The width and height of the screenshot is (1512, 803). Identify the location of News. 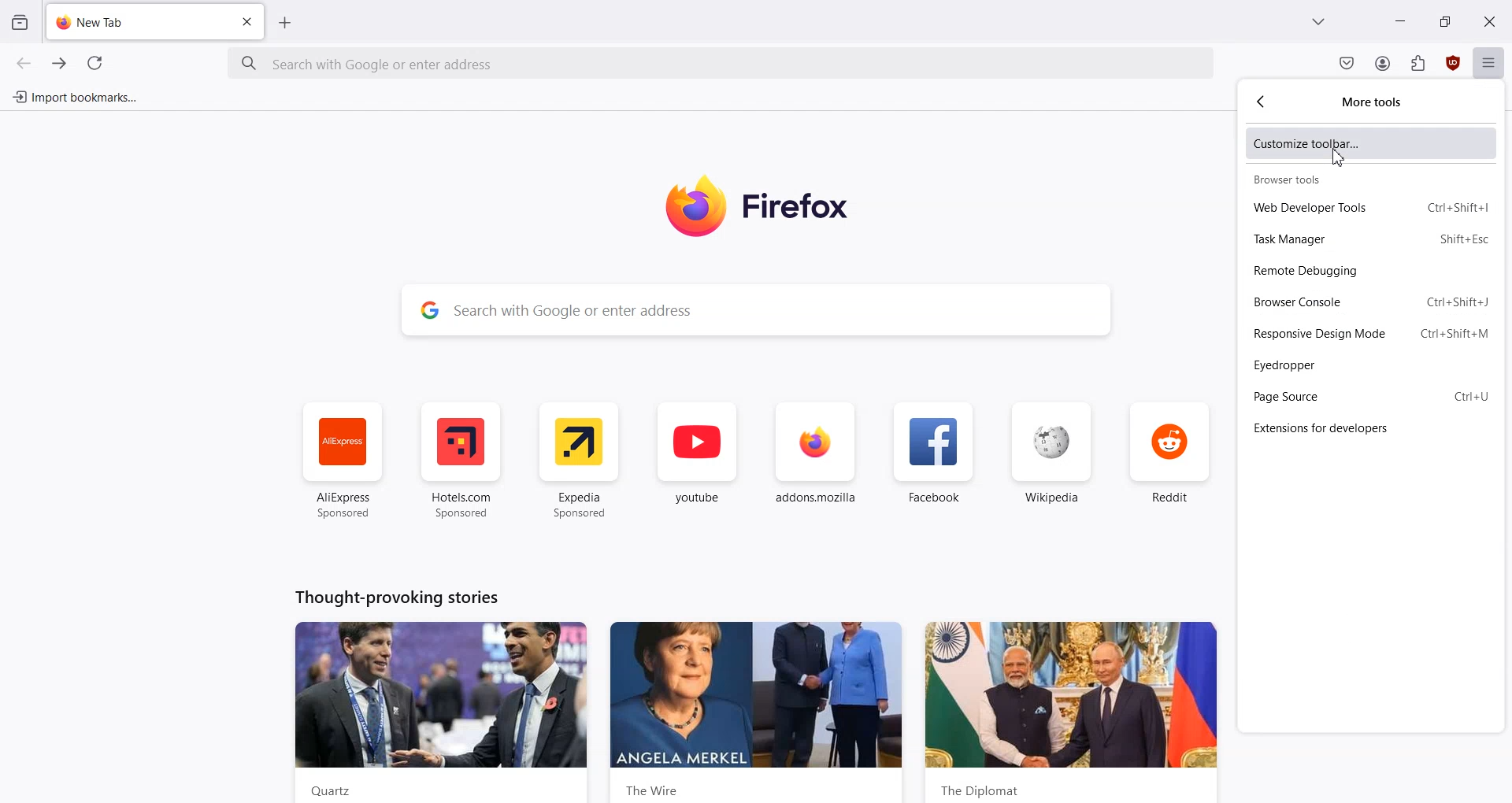
(442, 712).